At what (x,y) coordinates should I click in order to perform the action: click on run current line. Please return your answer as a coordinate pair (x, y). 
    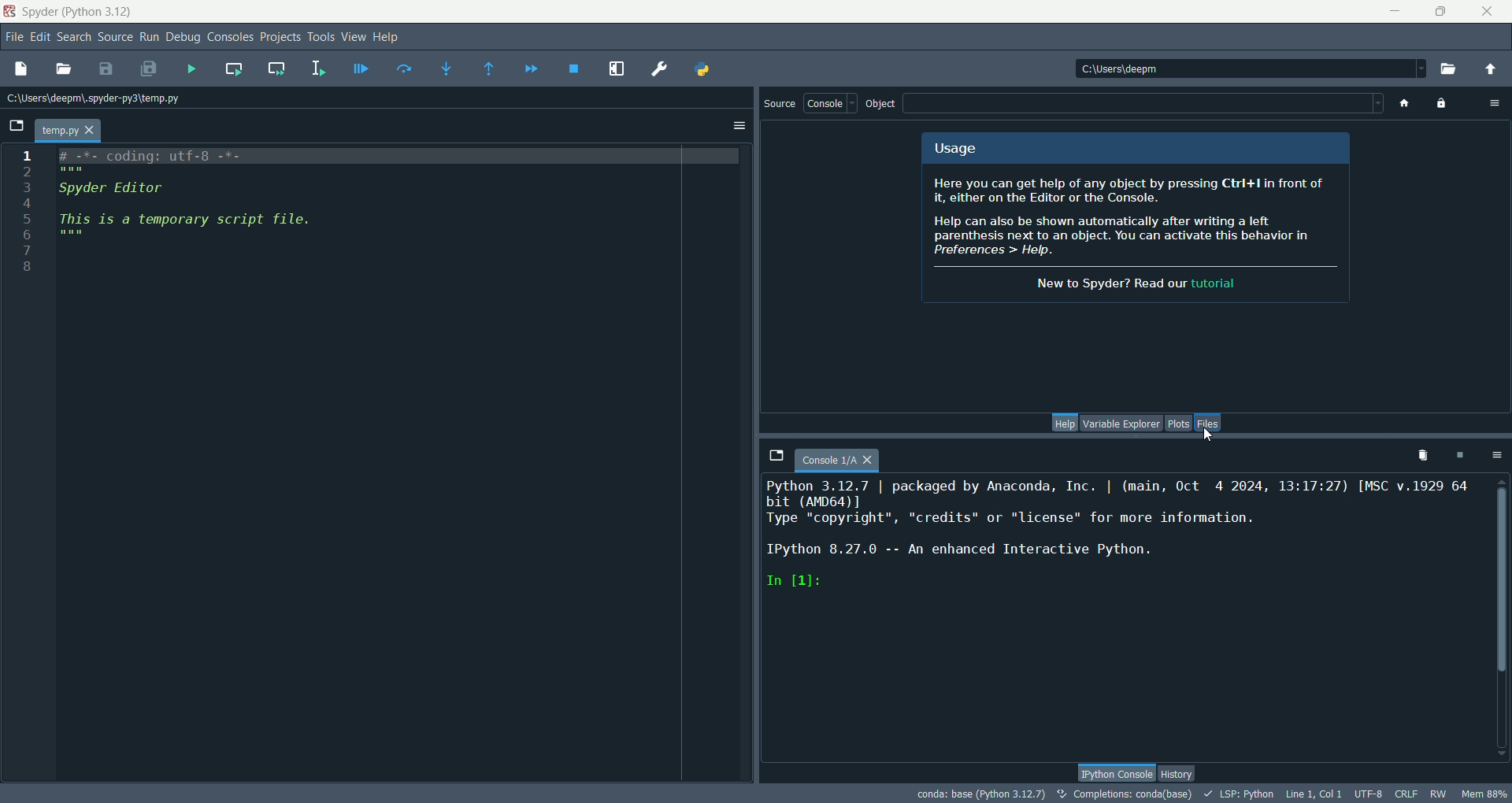
    Looking at the image, I should click on (406, 69).